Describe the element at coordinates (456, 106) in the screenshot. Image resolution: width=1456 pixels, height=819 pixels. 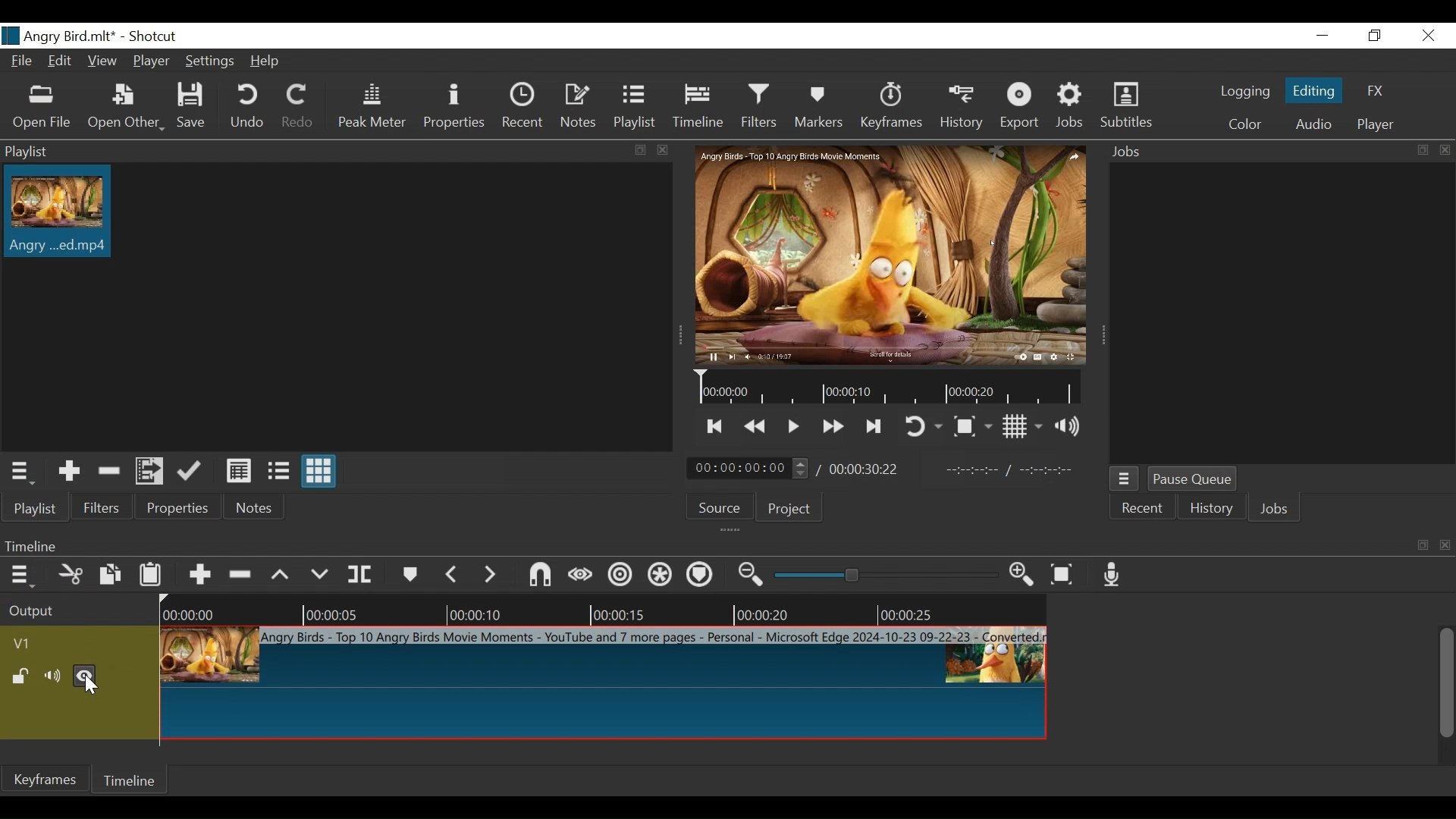
I see `Properties` at that location.